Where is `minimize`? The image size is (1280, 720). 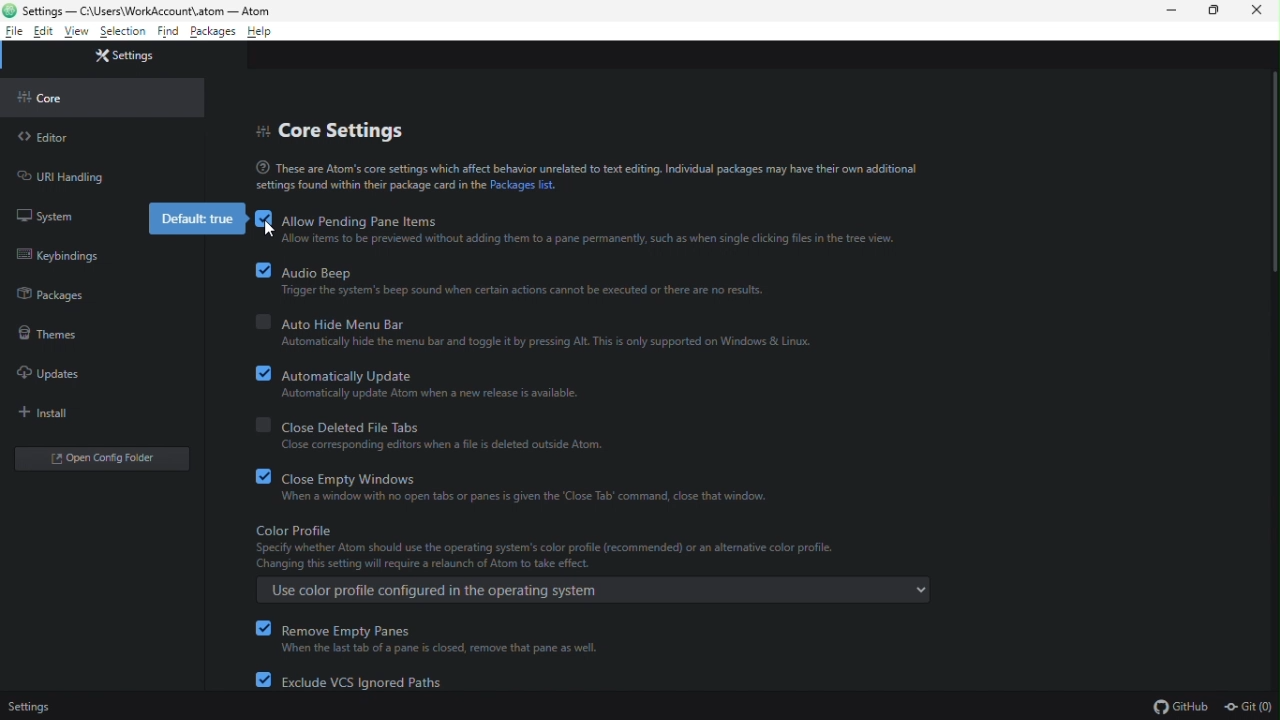 minimize is located at coordinates (1172, 12).